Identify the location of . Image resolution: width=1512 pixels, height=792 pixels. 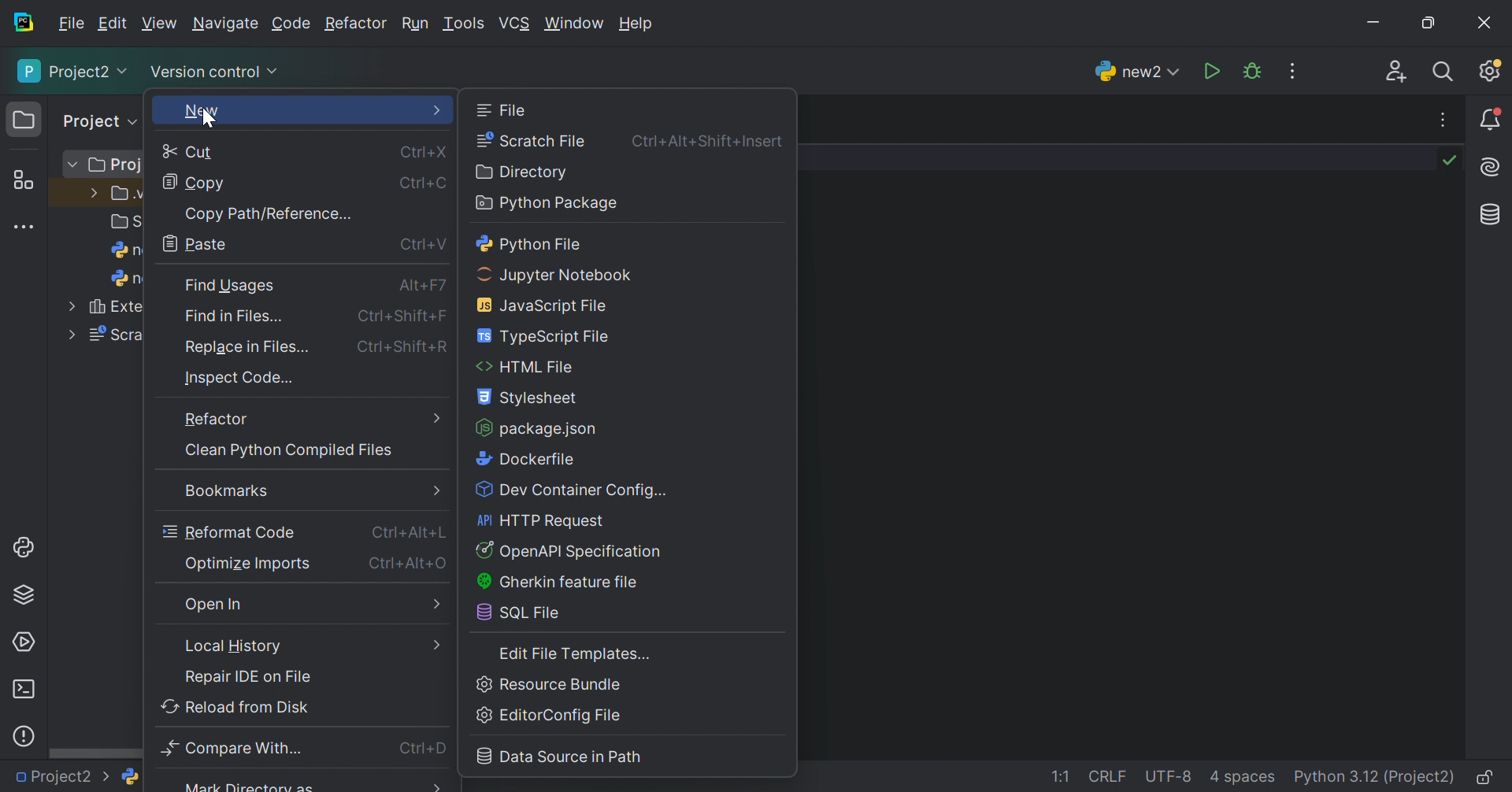
(424, 246).